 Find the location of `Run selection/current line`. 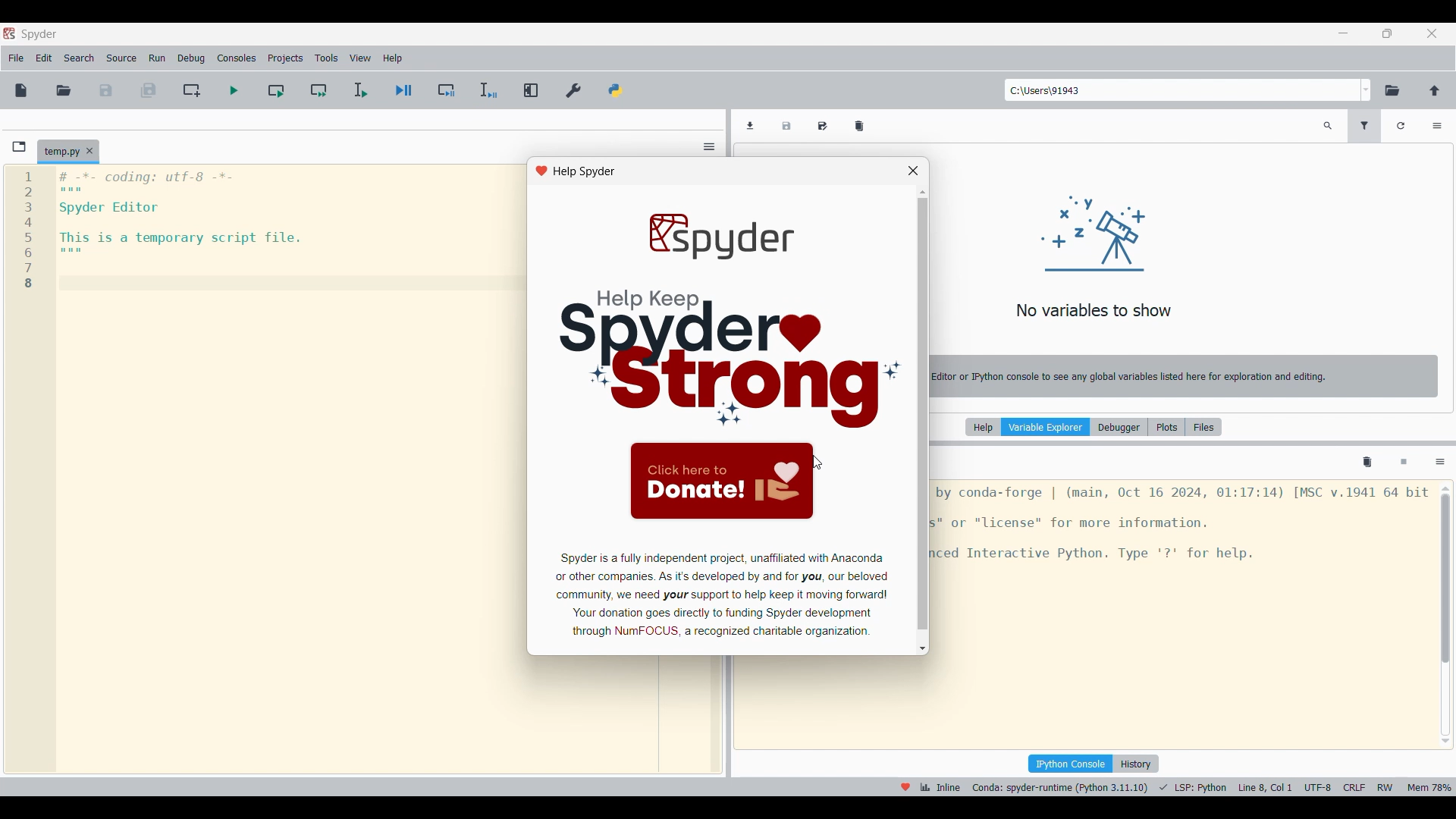

Run selection/current line is located at coordinates (360, 90).